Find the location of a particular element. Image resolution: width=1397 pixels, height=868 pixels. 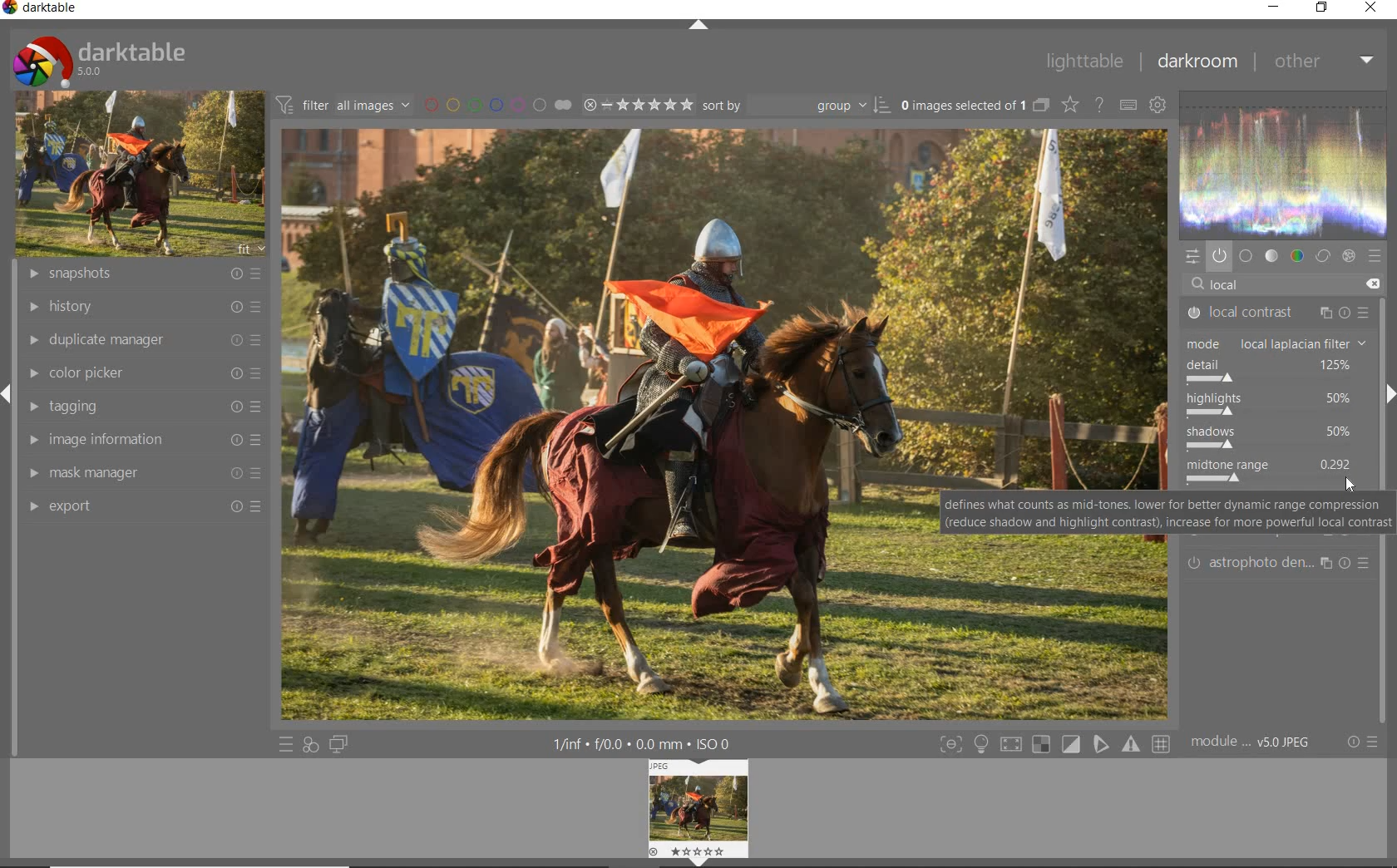

quick access for applying any of your styles is located at coordinates (312, 743).